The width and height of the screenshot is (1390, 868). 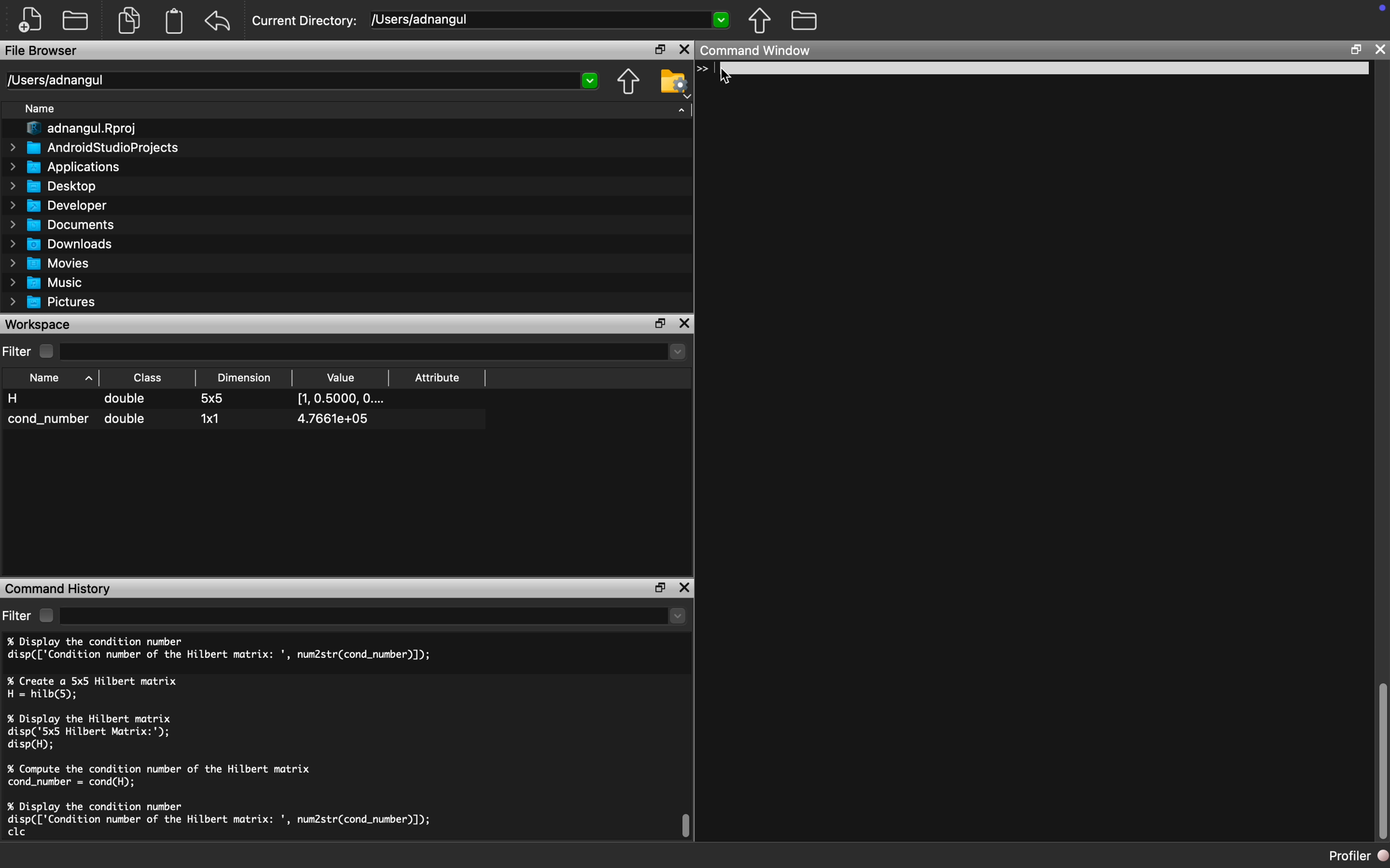 What do you see at coordinates (684, 590) in the screenshot?
I see `Close` at bounding box center [684, 590].